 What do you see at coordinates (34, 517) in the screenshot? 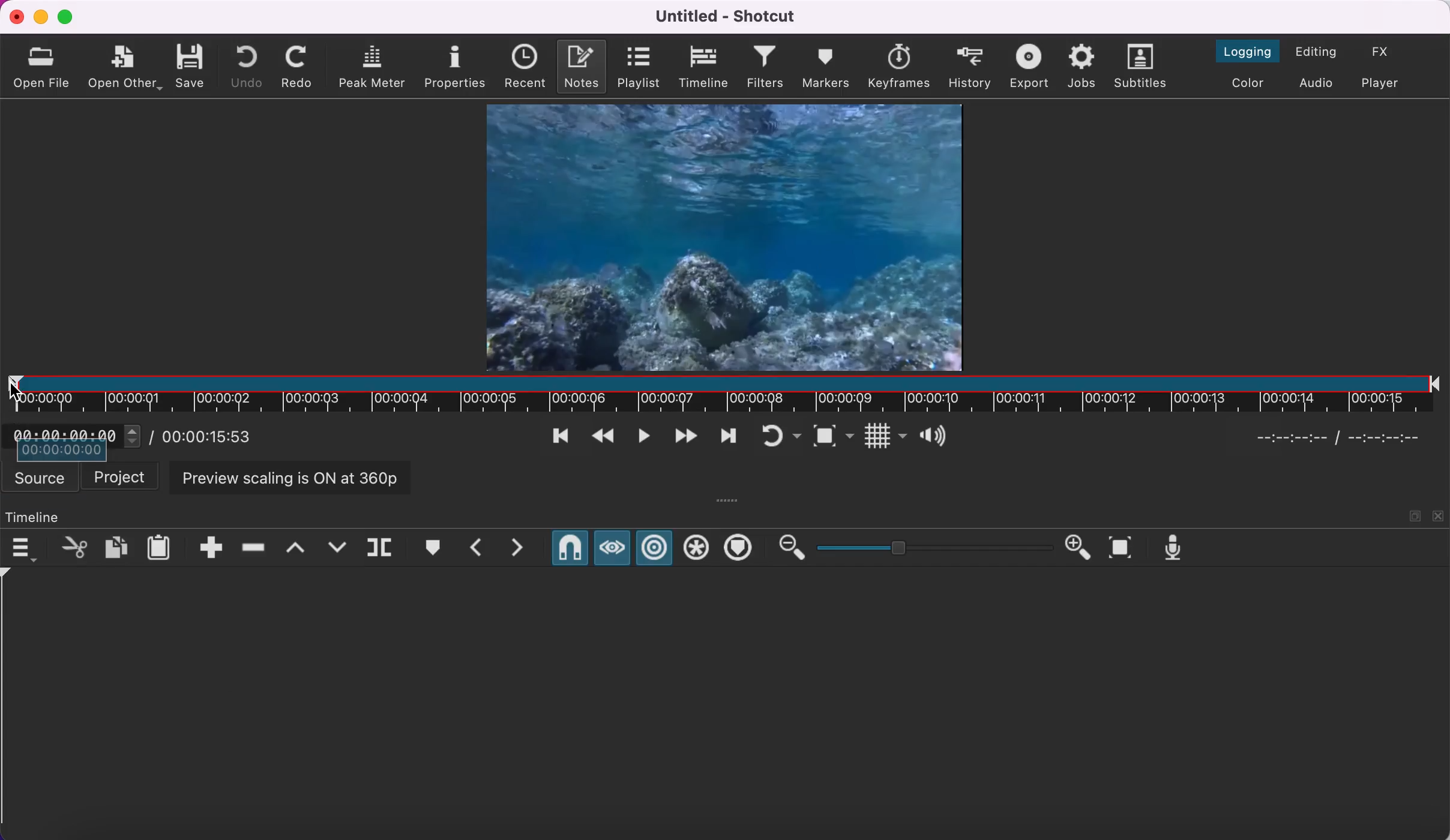
I see `timeline panel` at bounding box center [34, 517].